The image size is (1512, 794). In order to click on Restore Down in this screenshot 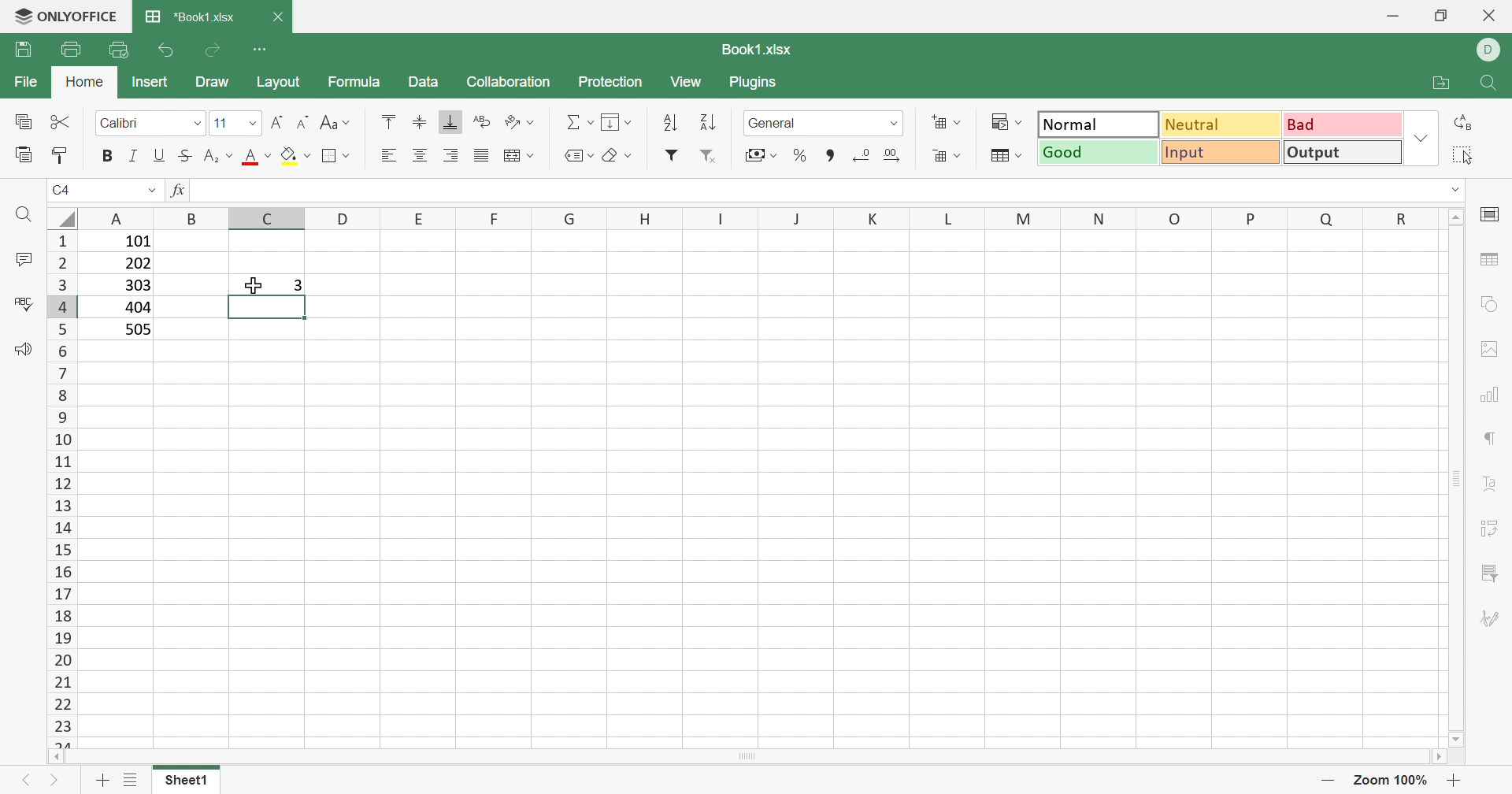, I will do `click(1440, 17)`.